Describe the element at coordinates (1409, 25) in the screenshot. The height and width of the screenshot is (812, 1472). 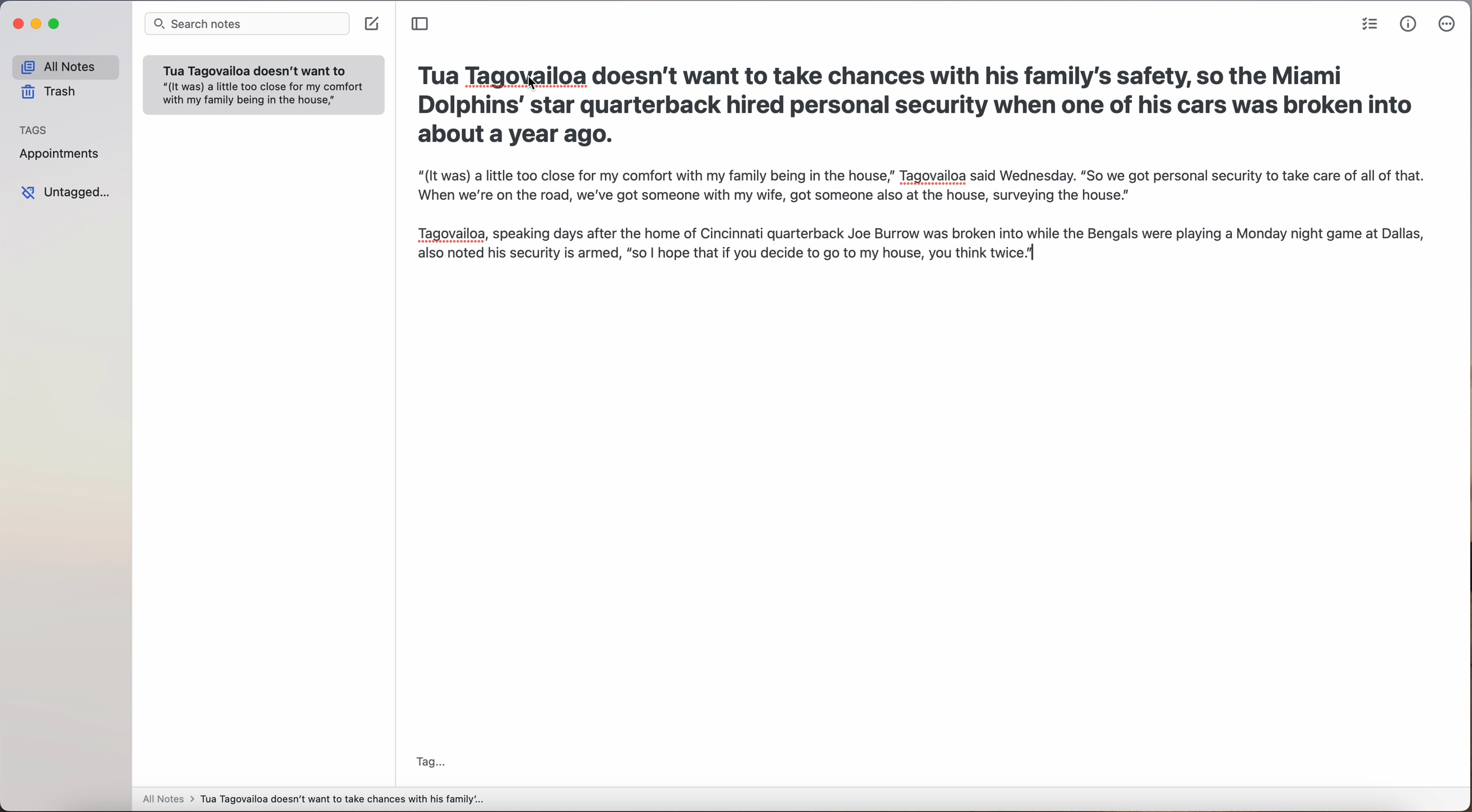
I see `metrics` at that location.